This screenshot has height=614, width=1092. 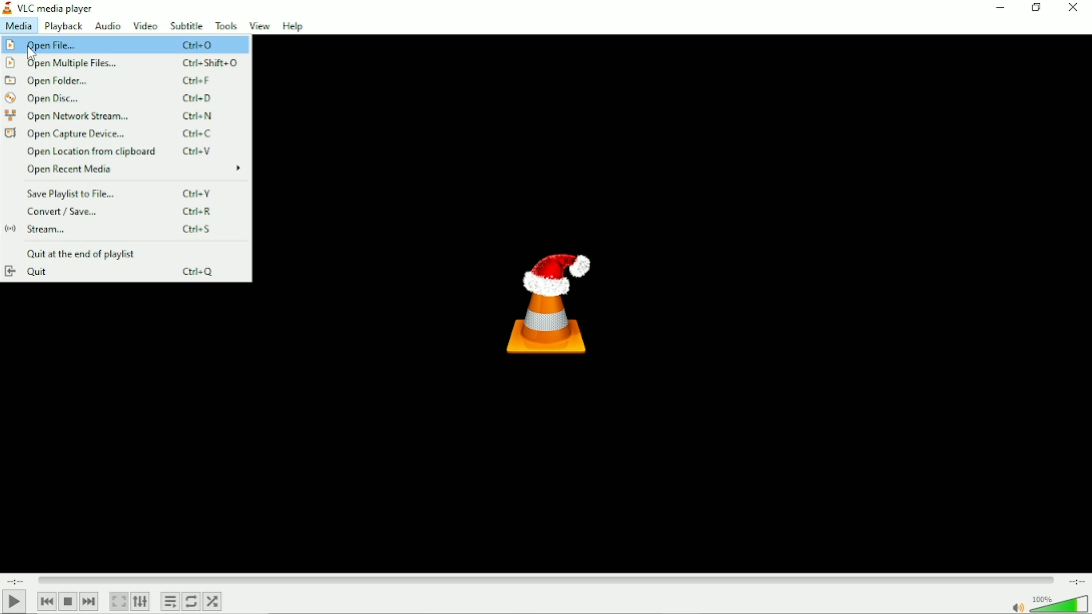 I want to click on Help, so click(x=293, y=25).